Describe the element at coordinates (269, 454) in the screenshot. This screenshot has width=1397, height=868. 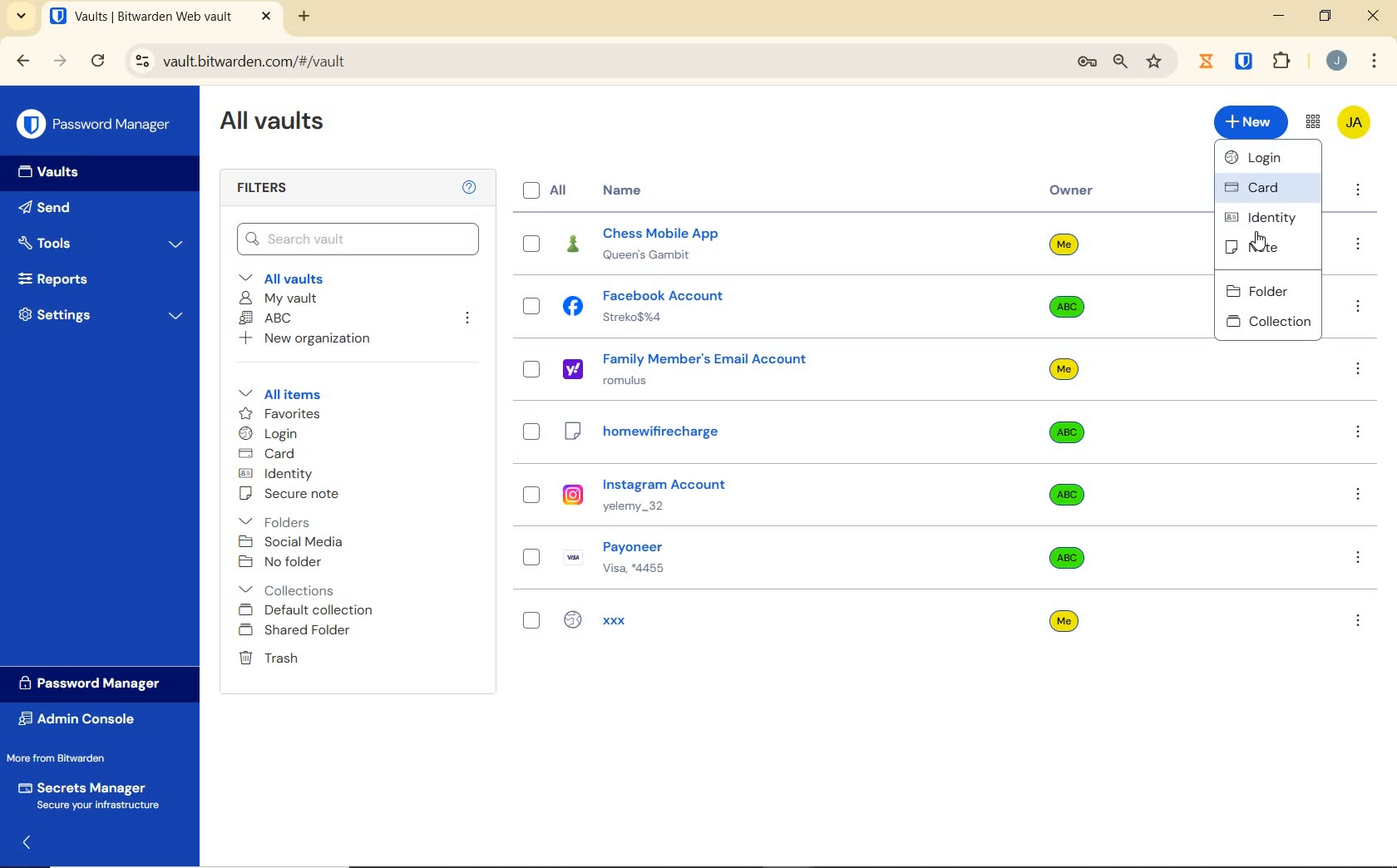
I see `card` at that location.